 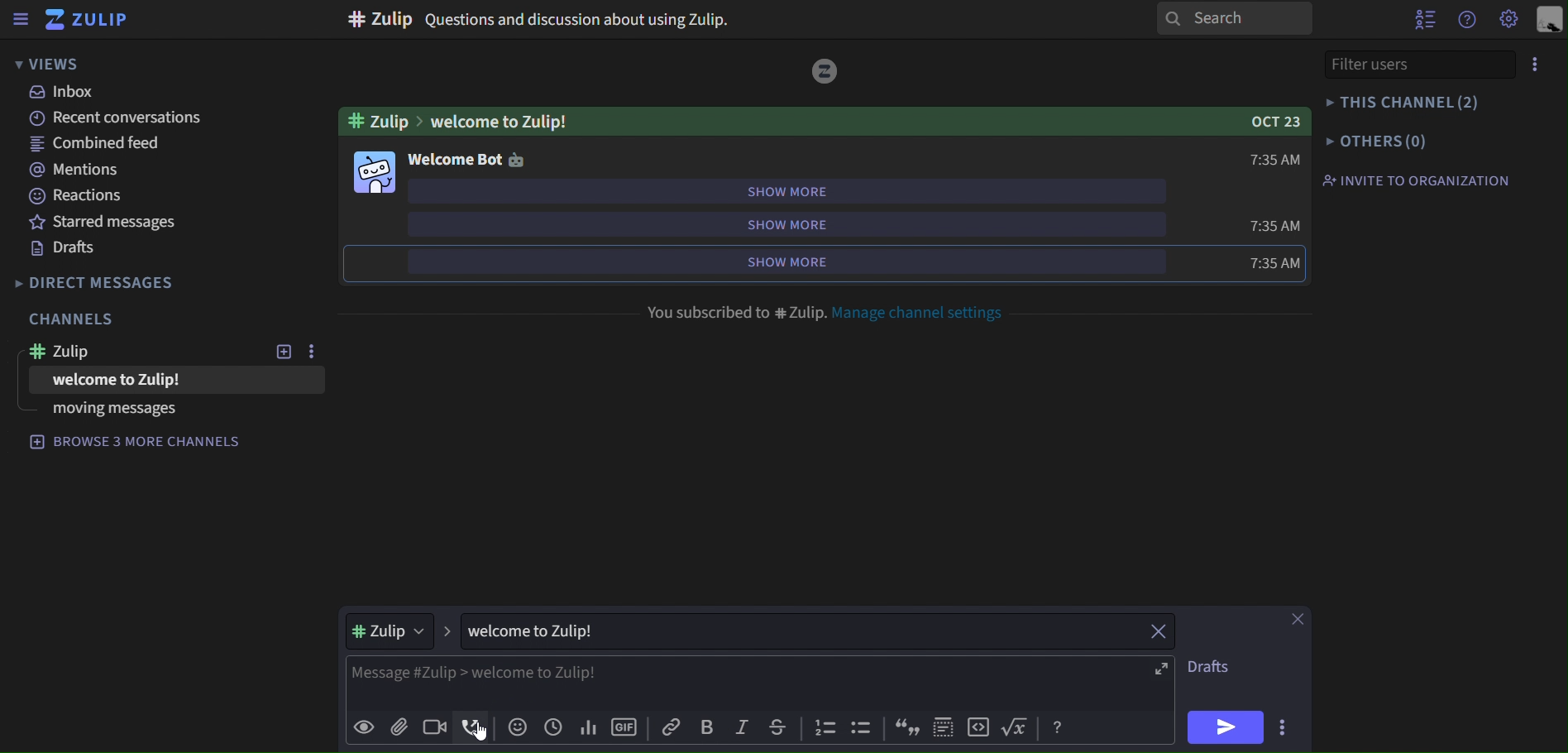 What do you see at coordinates (668, 727) in the screenshot?
I see `copy link` at bounding box center [668, 727].